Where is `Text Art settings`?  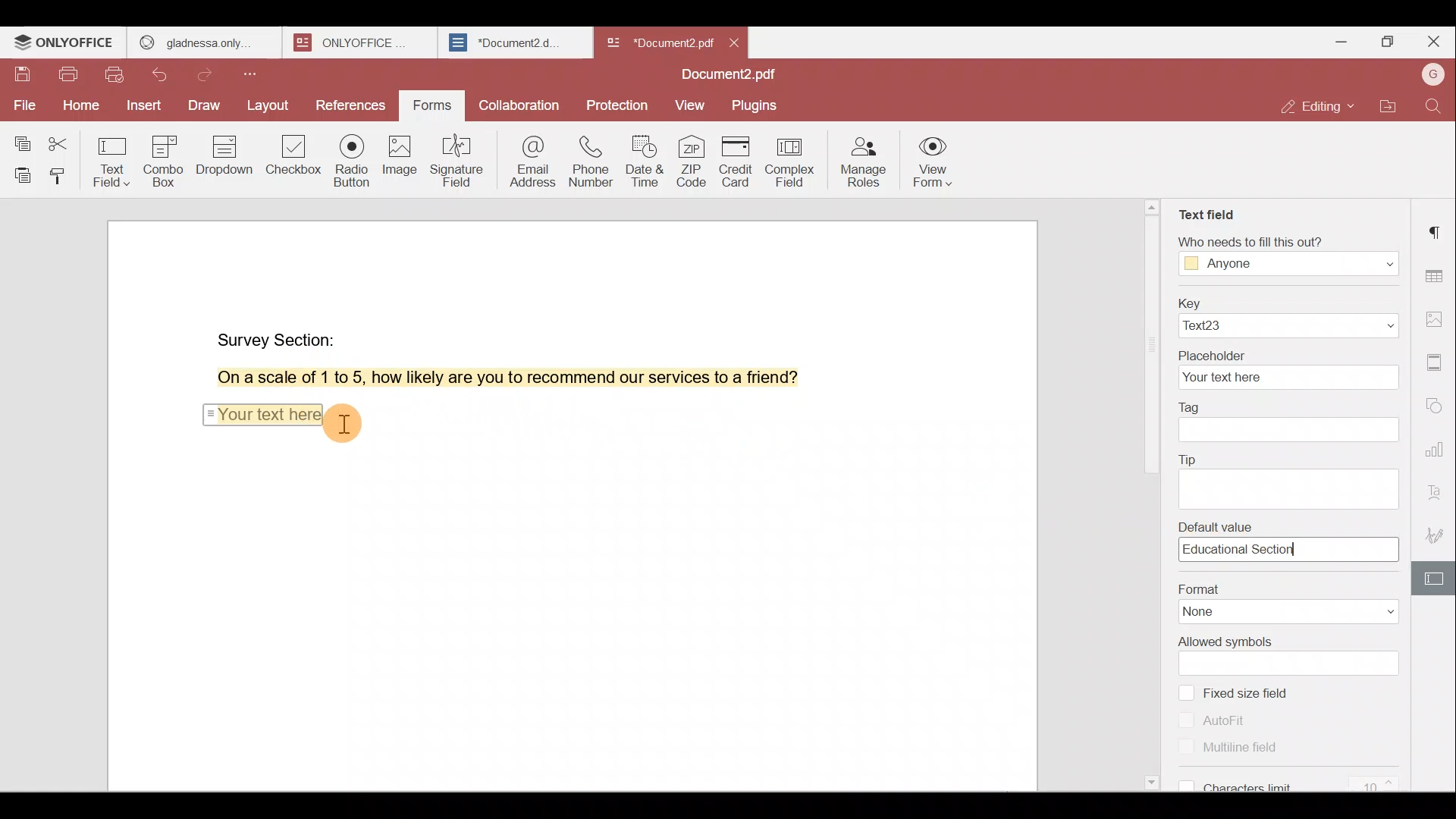
Text Art settings is located at coordinates (1437, 488).